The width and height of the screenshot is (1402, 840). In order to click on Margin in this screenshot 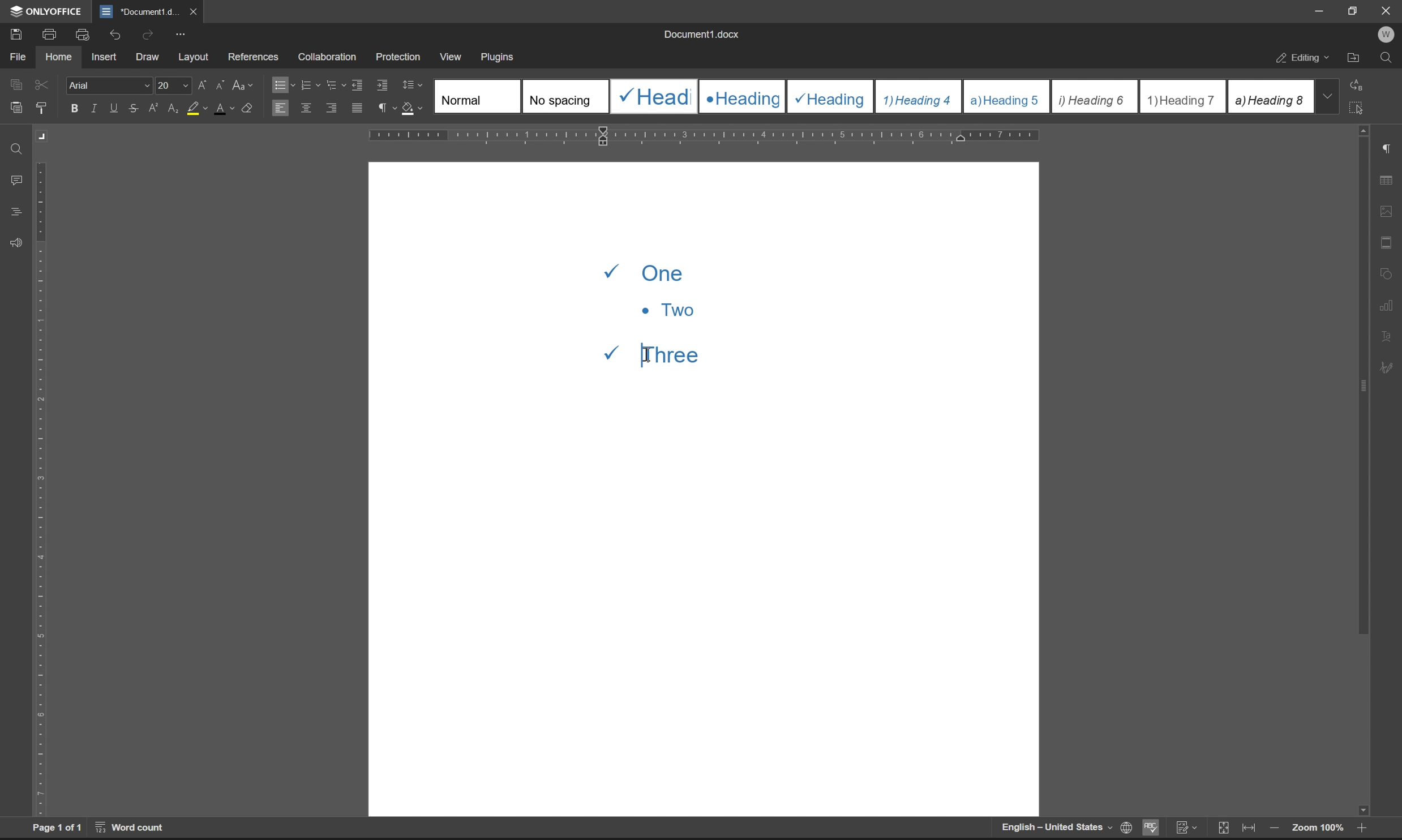, I will do `click(44, 136)`.